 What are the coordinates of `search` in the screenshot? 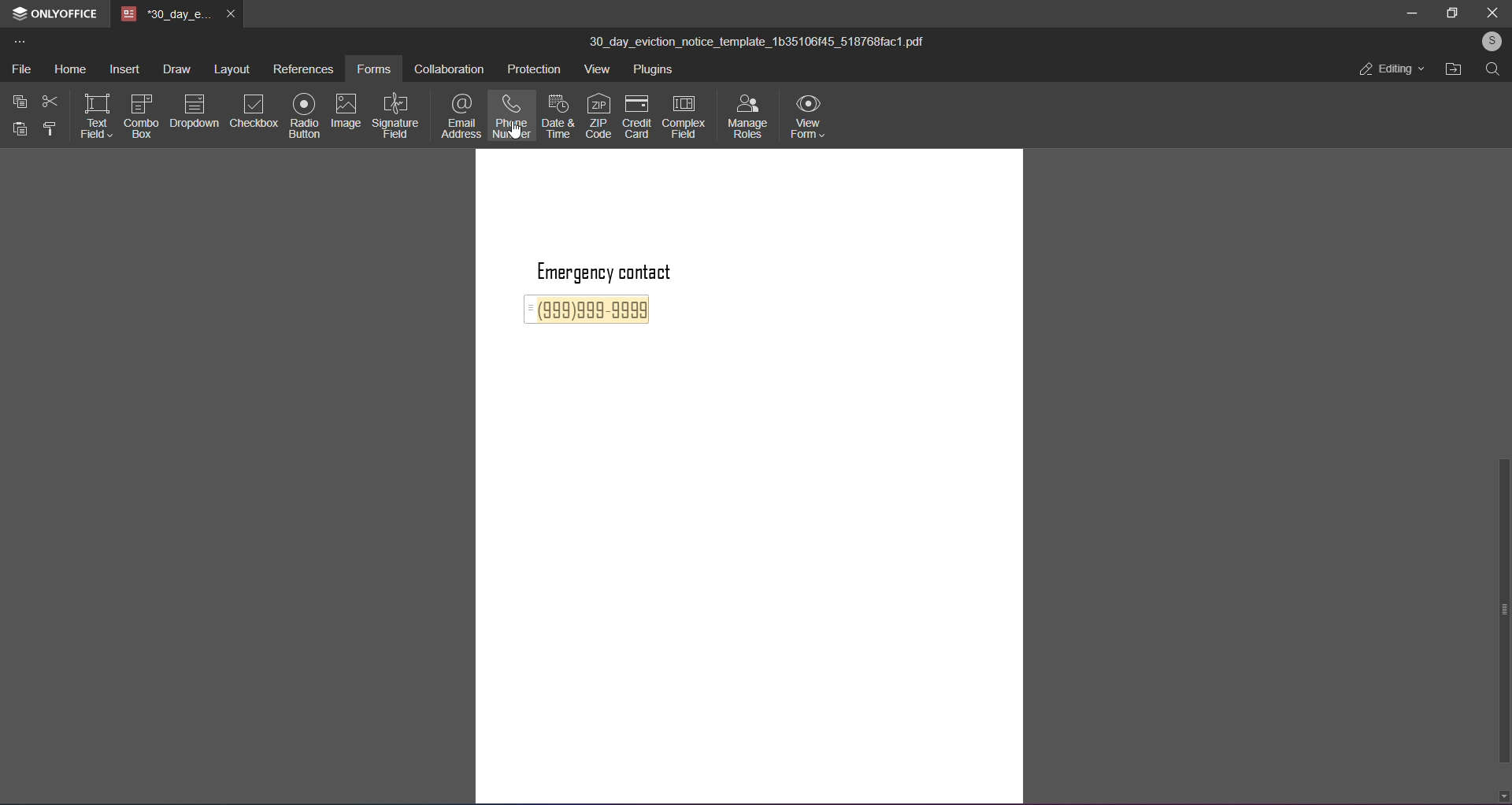 It's located at (1492, 72).